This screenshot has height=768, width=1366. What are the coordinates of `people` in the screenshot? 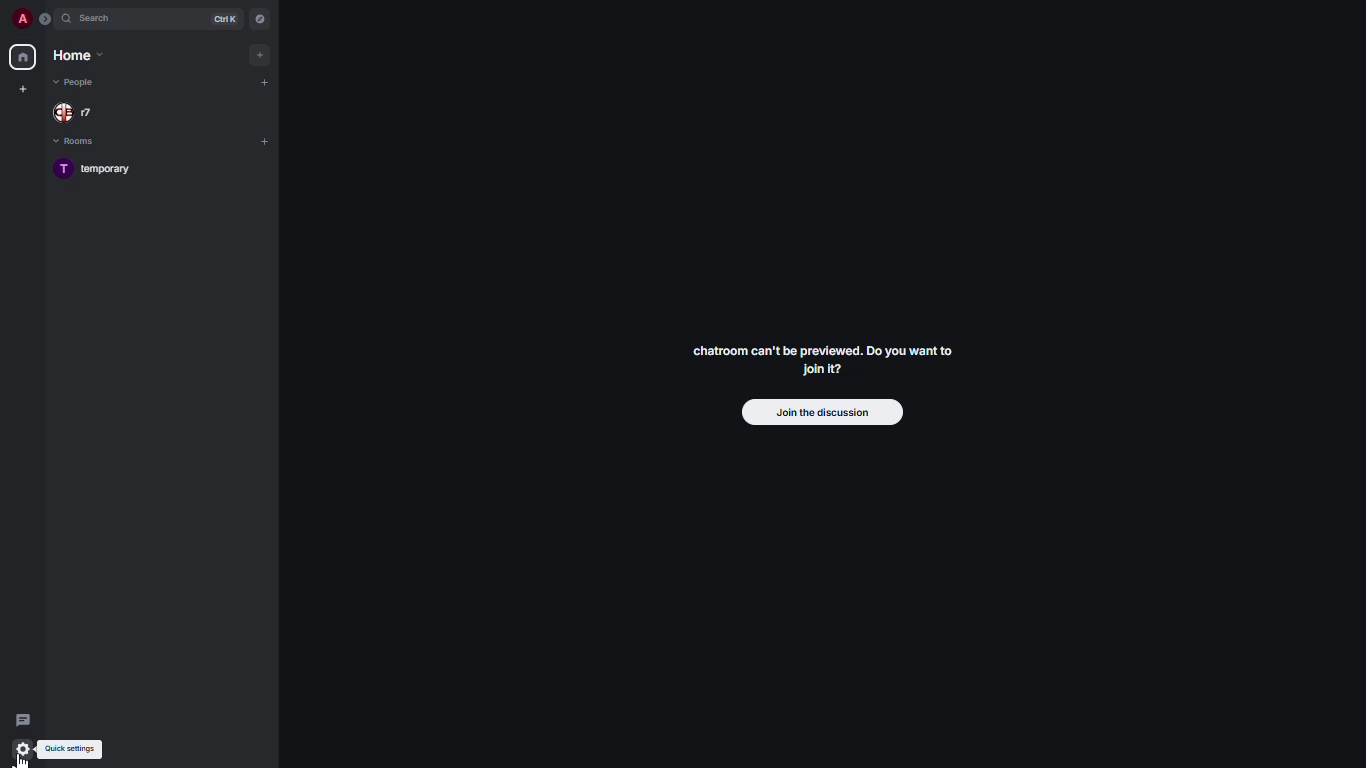 It's located at (77, 84).